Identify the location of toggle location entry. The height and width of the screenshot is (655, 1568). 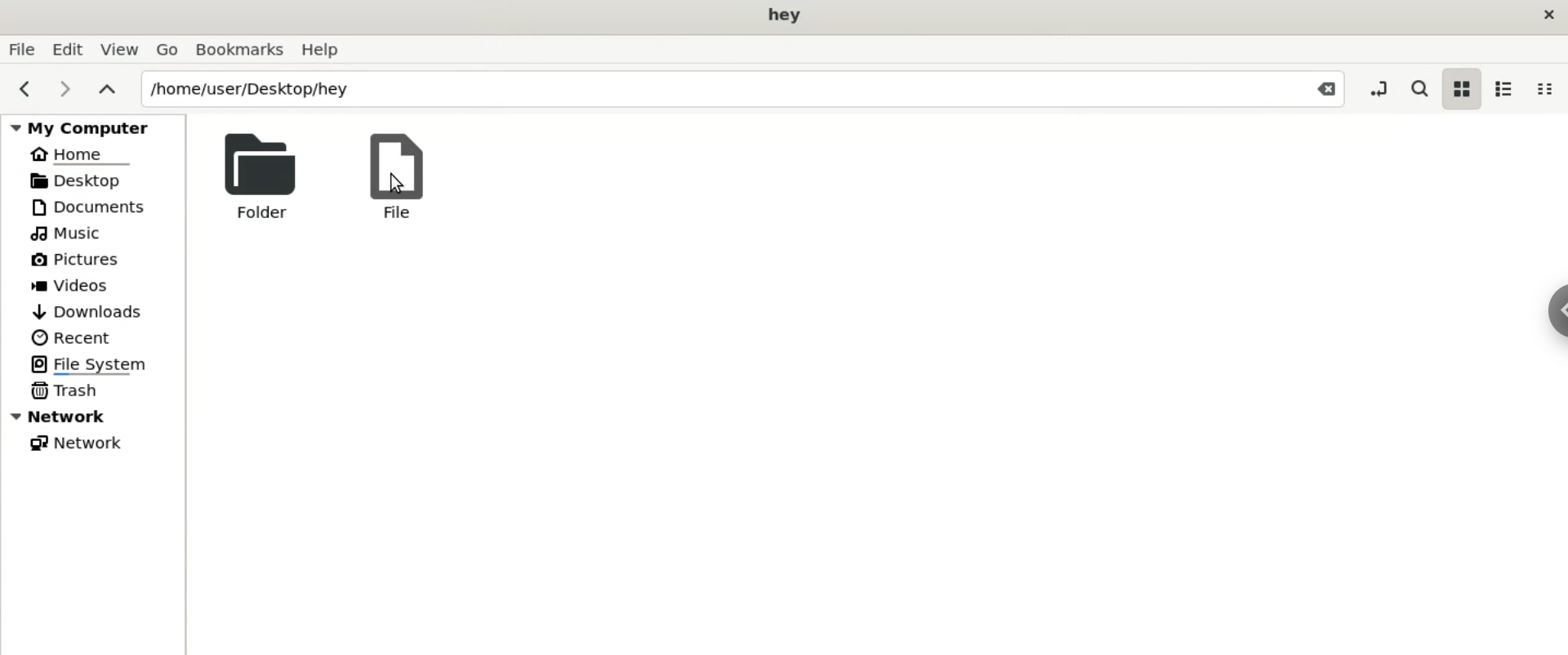
(1383, 87).